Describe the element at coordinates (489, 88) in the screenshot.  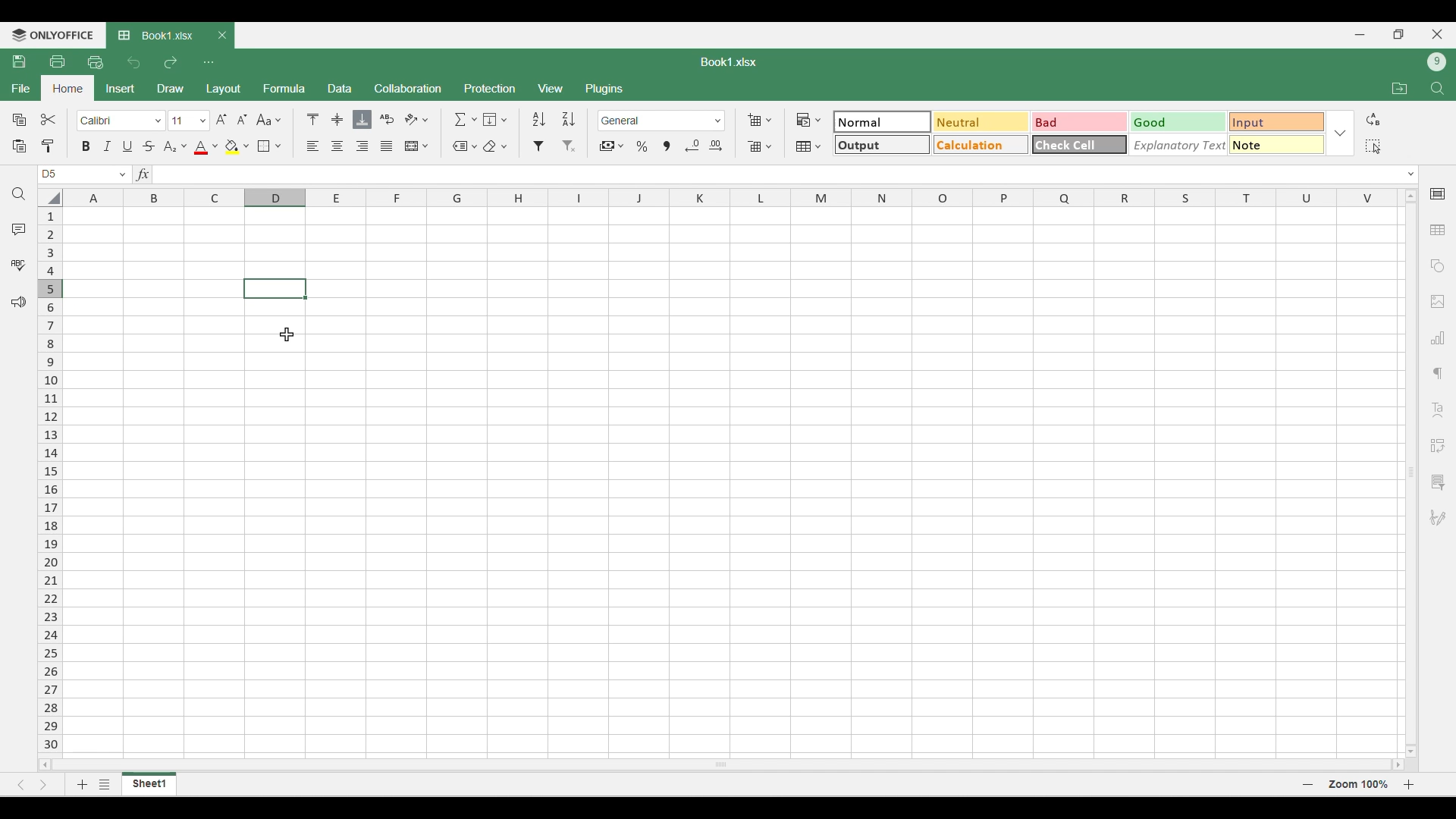
I see `Protection menu` at that location.